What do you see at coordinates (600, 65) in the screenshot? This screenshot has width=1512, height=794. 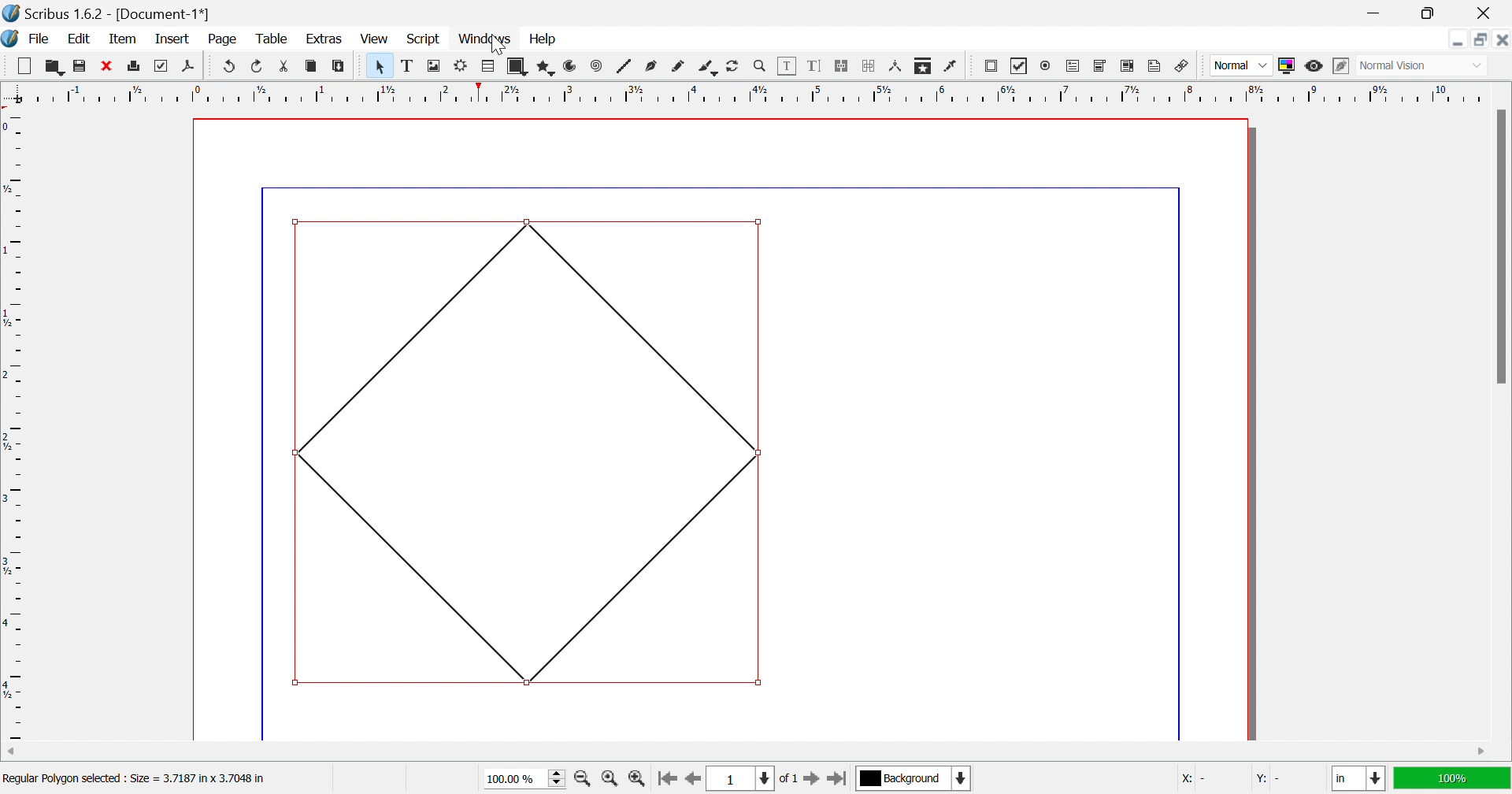 I see `Spiral` at bounding box center [600, 65].